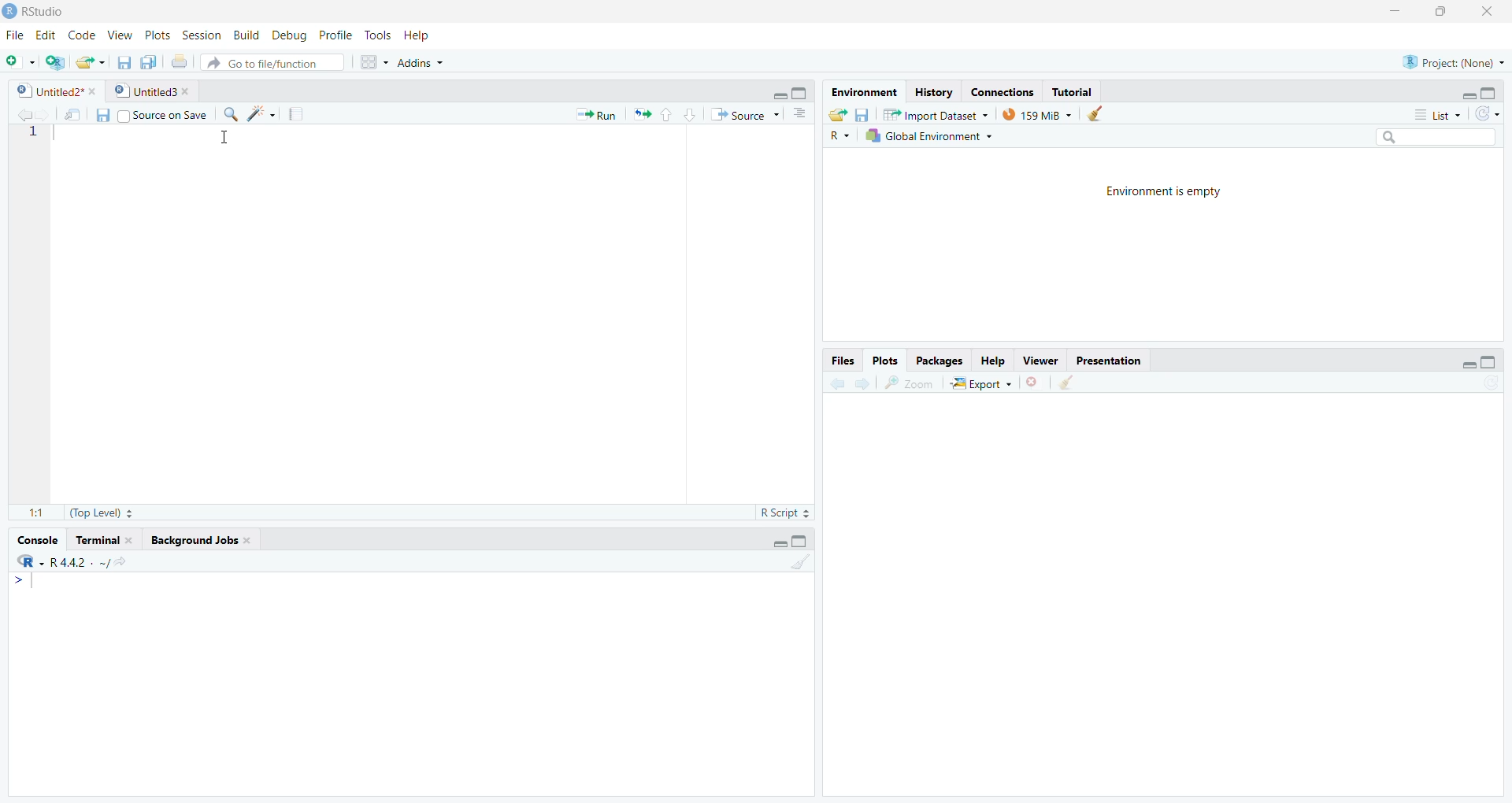  I want to click on Source on save, so click(161, 115).